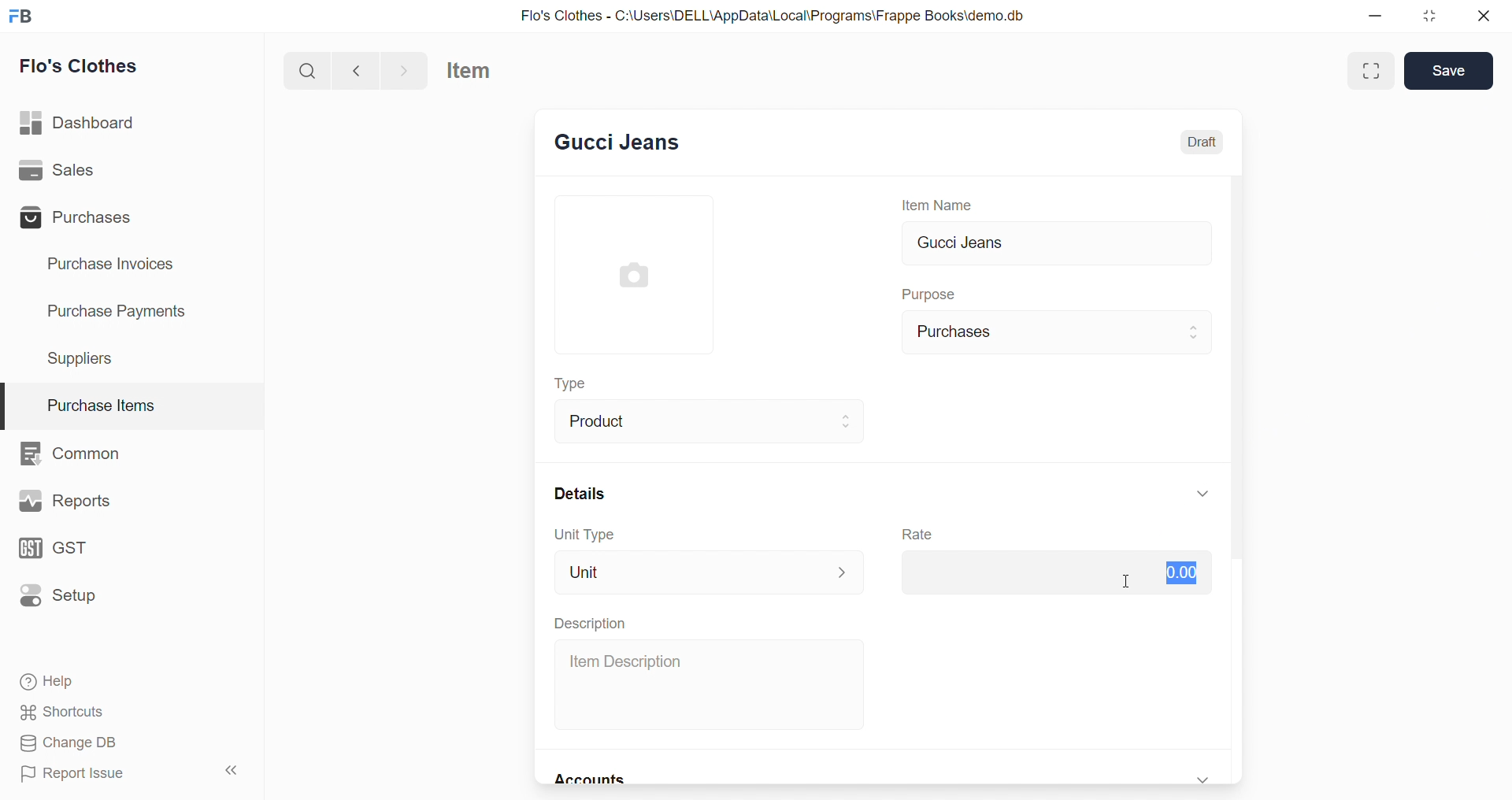 This screenshot has height=800, width=1512. What do you see at coordinates (20, 17) in the screenshot?
I see `logo` at bounding box center [20, 17].